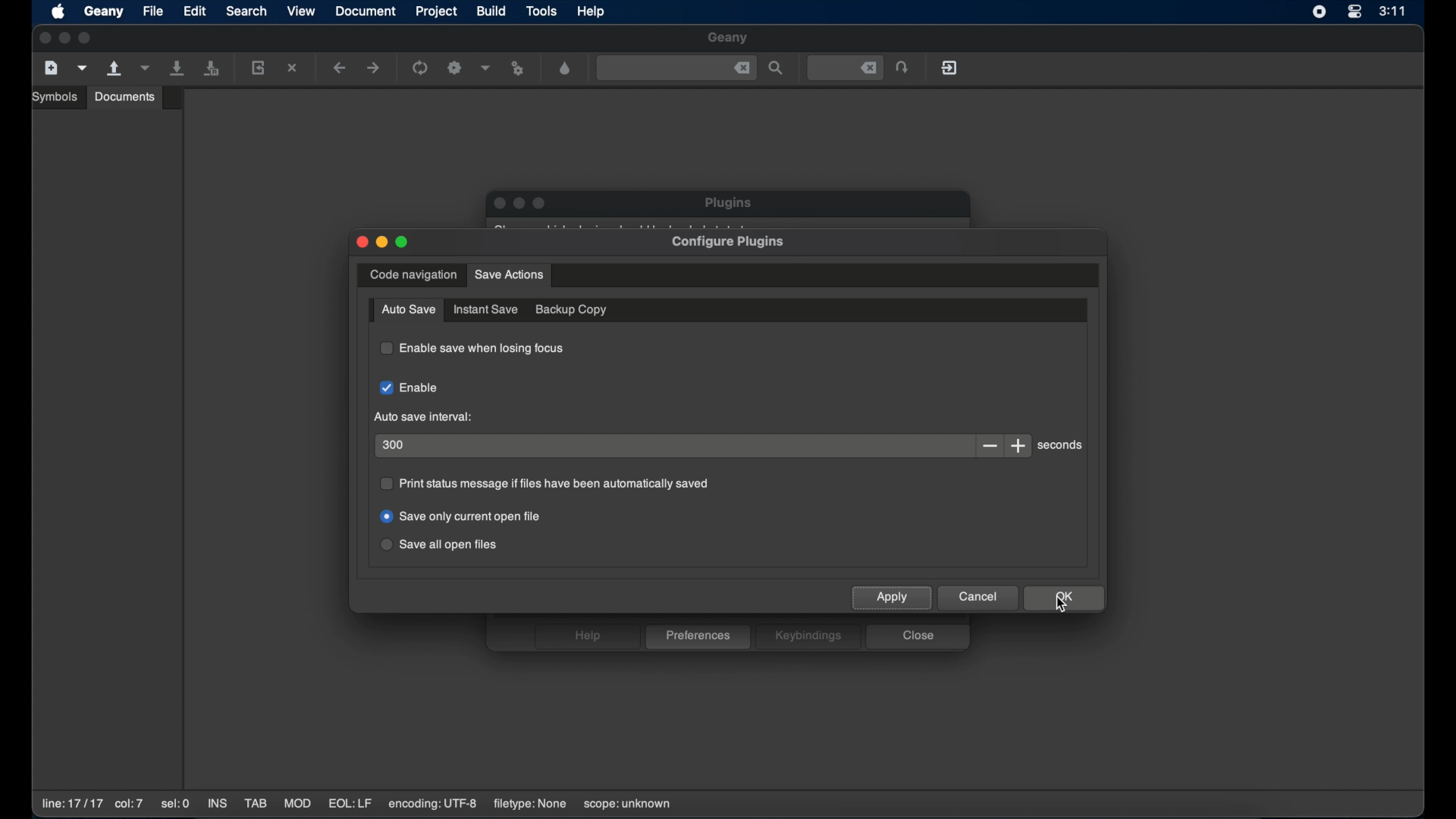  I want to click on save action, so click(509, 275).